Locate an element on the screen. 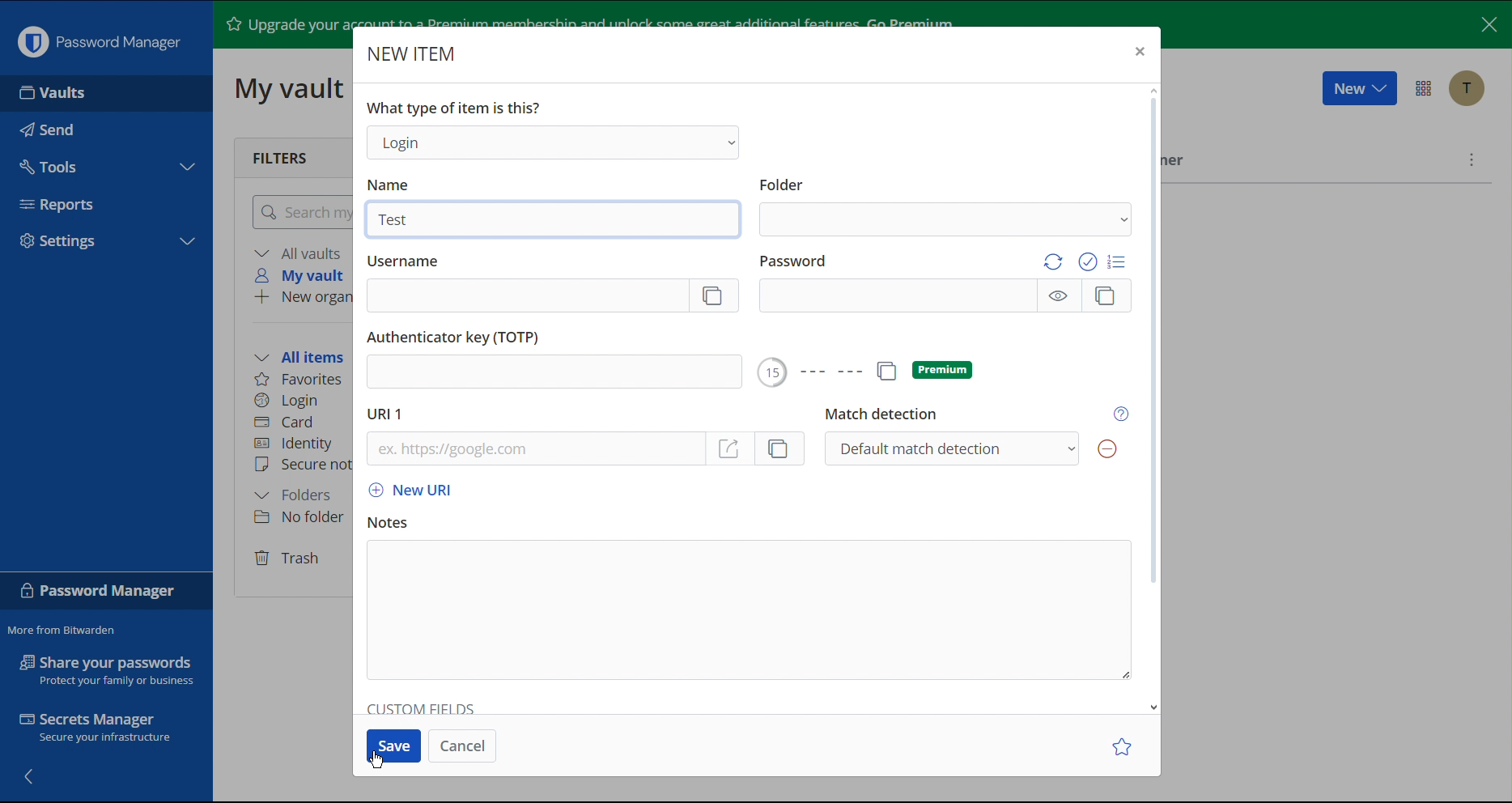  Settings is located at coordinates (101, 242).